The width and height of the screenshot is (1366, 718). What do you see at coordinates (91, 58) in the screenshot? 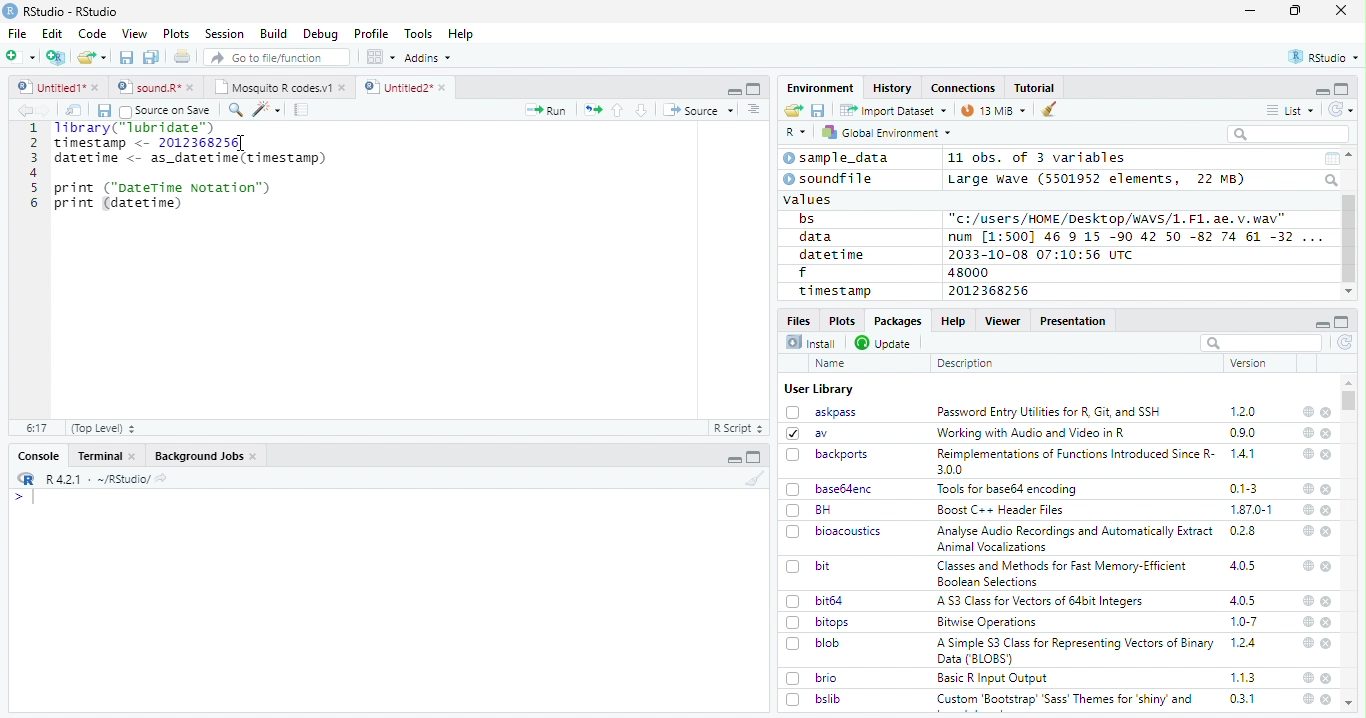
I see `open an existing file` at bounding box center [91, 58].